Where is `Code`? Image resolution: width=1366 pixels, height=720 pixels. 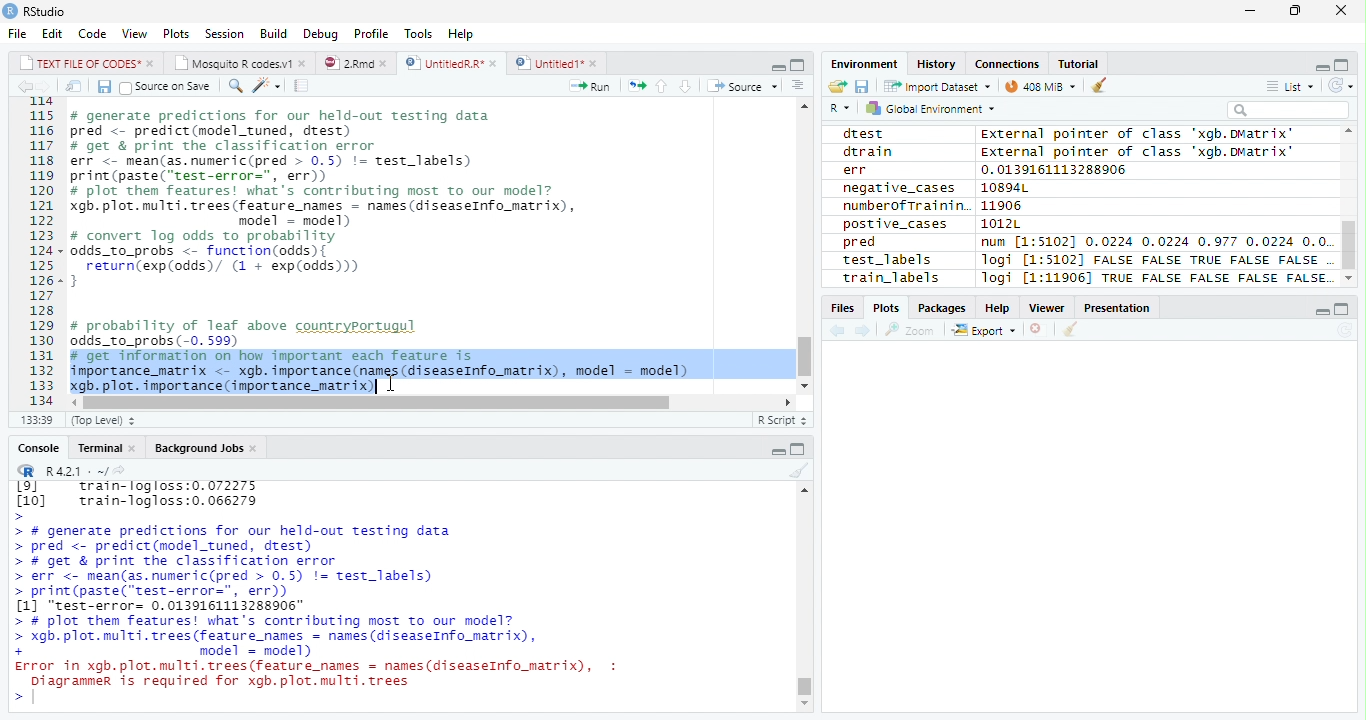
Code is located at coordinates (90, 34).